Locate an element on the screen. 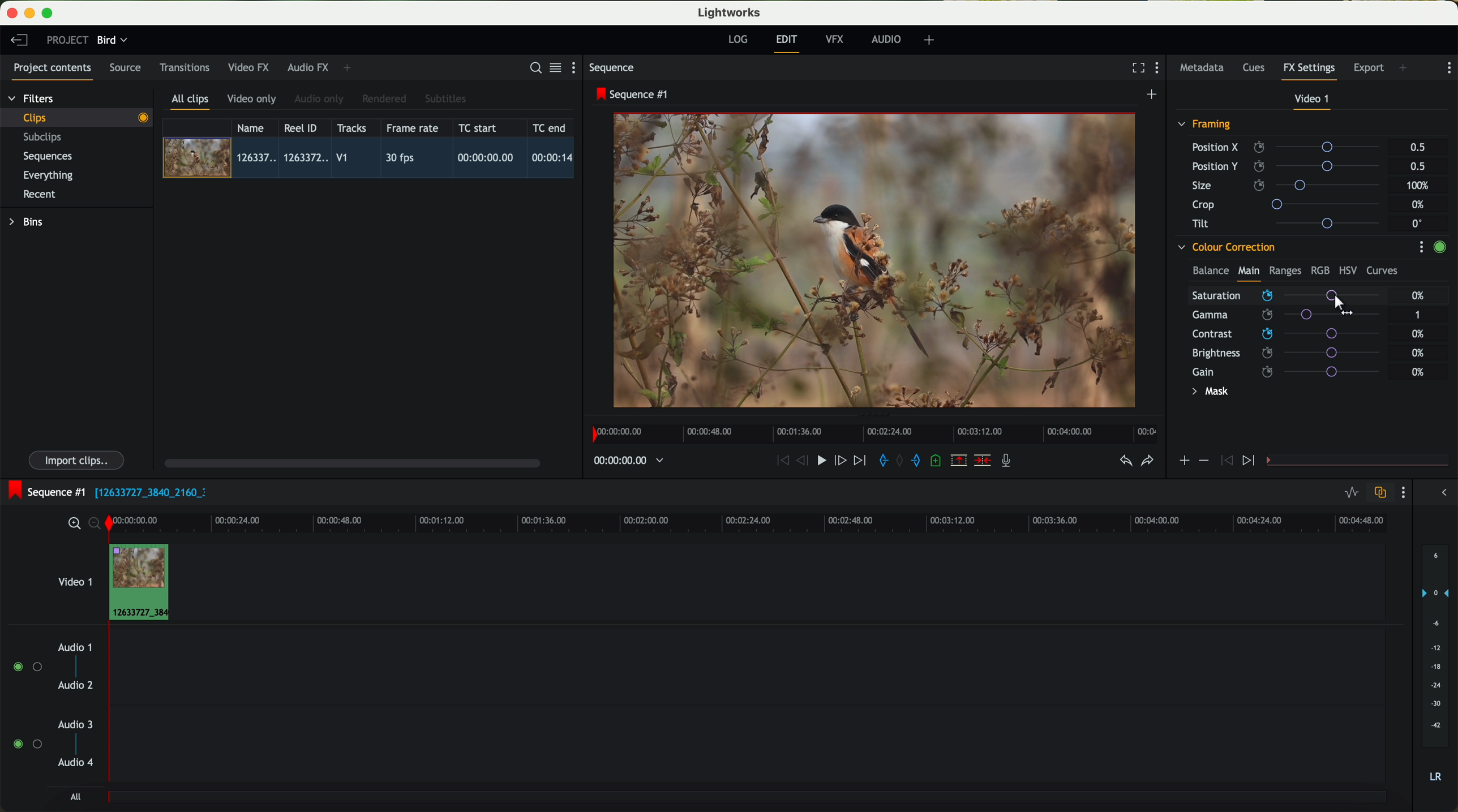 The height and width of the screenshot is (812, 1458). log is located at coordinates (737, 40).